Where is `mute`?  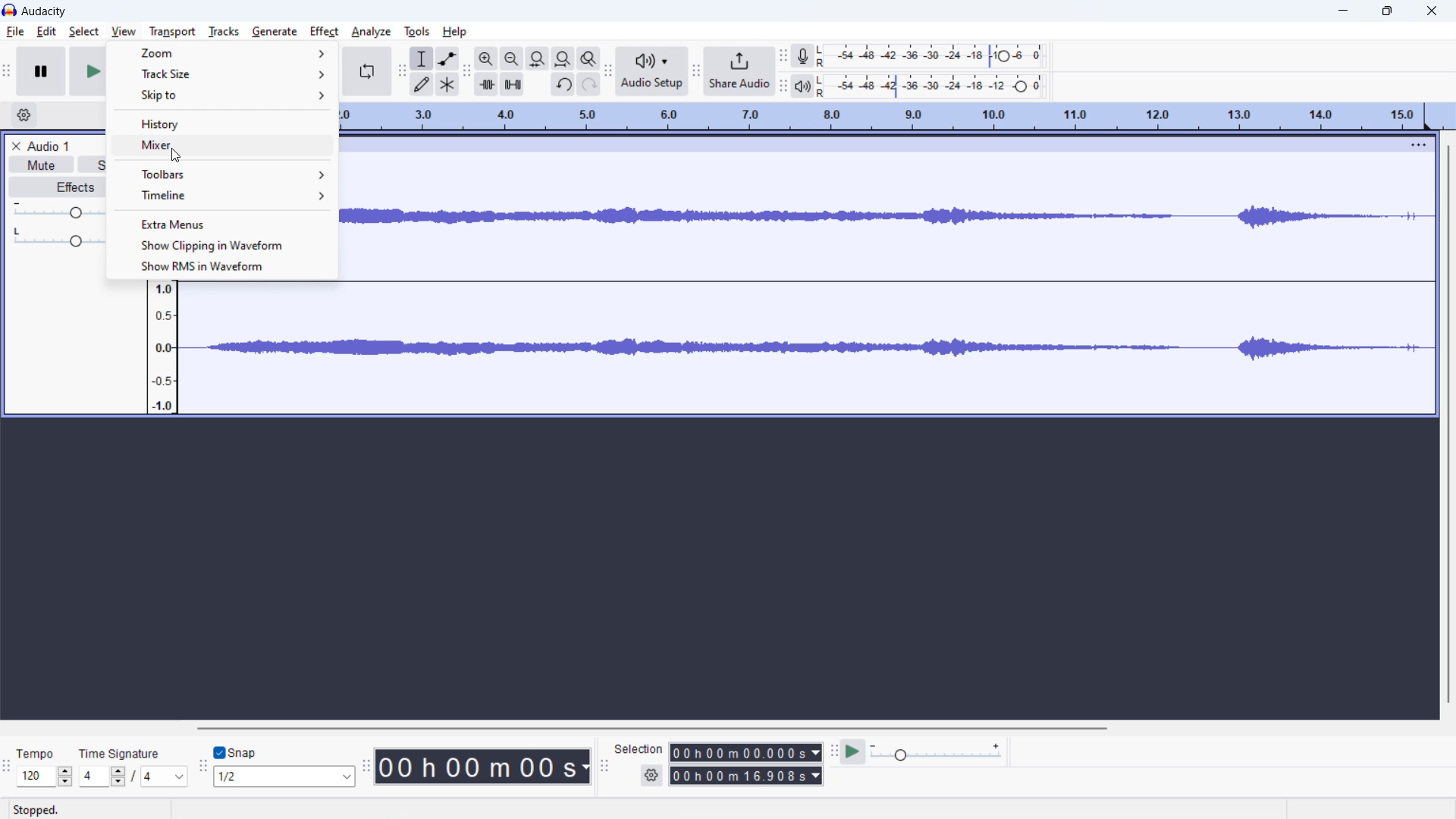 mute is located at coordinates (42, 165).